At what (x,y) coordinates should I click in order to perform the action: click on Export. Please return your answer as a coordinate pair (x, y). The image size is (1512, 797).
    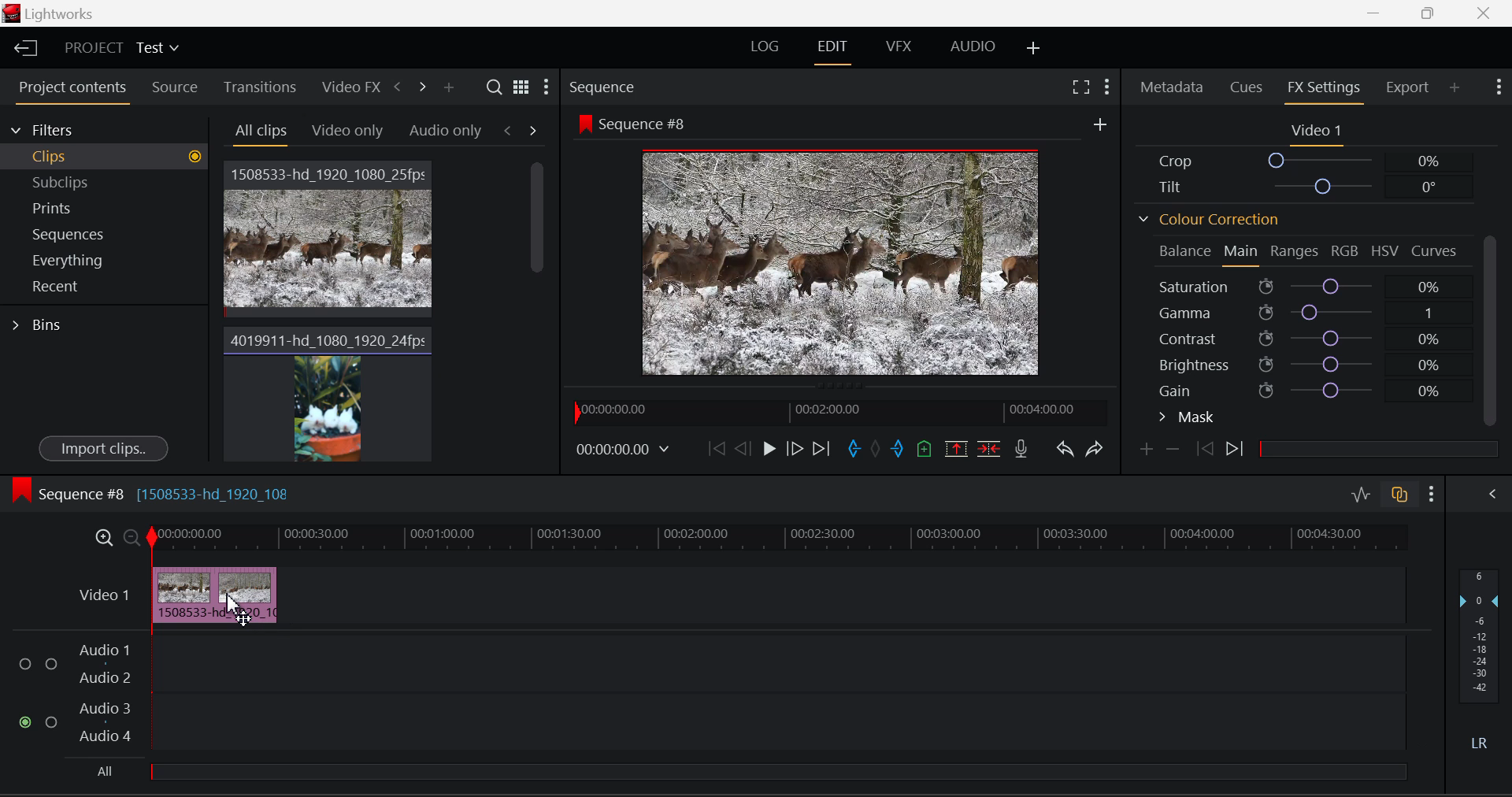
    Looking at the image, I should click on (1408, 89).